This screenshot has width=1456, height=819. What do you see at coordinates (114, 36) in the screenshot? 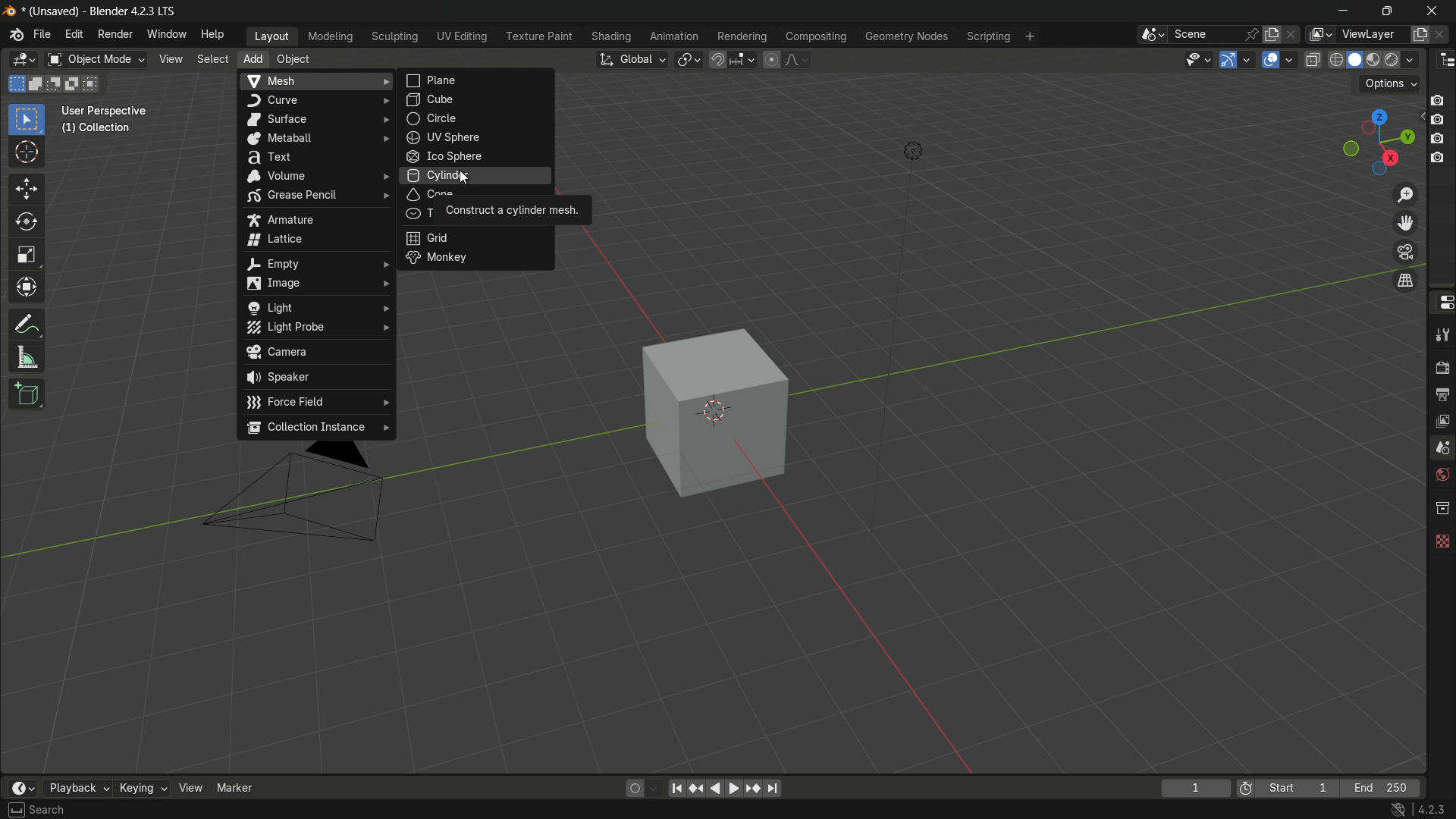
I see `render menu` at bounding box center [114, 36].